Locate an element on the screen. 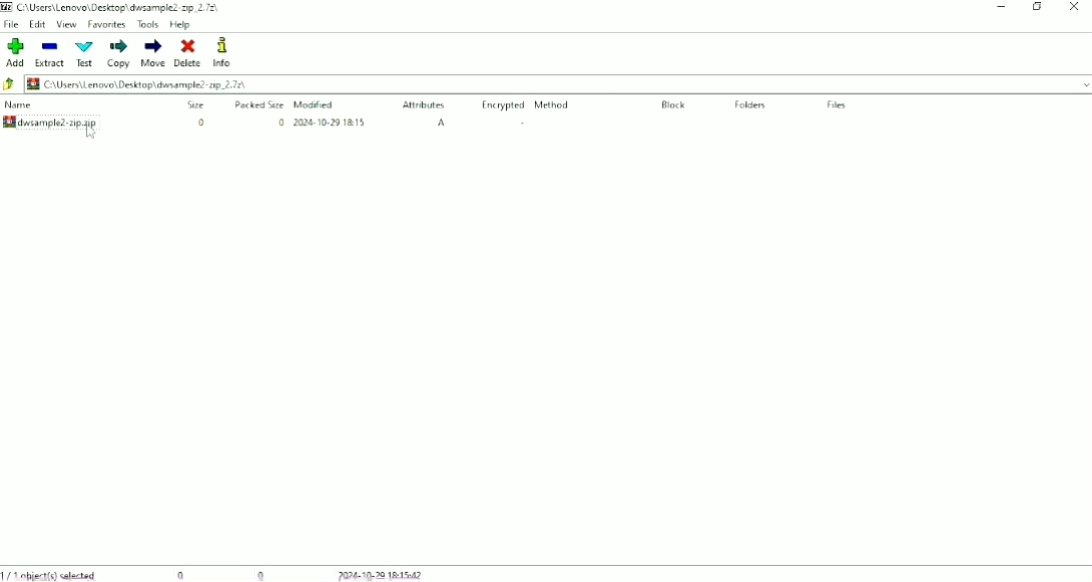 The height and width of the screenshot is (582, 1092). 2024-10-29 18:15:42 is located at coordinates (389, 575).